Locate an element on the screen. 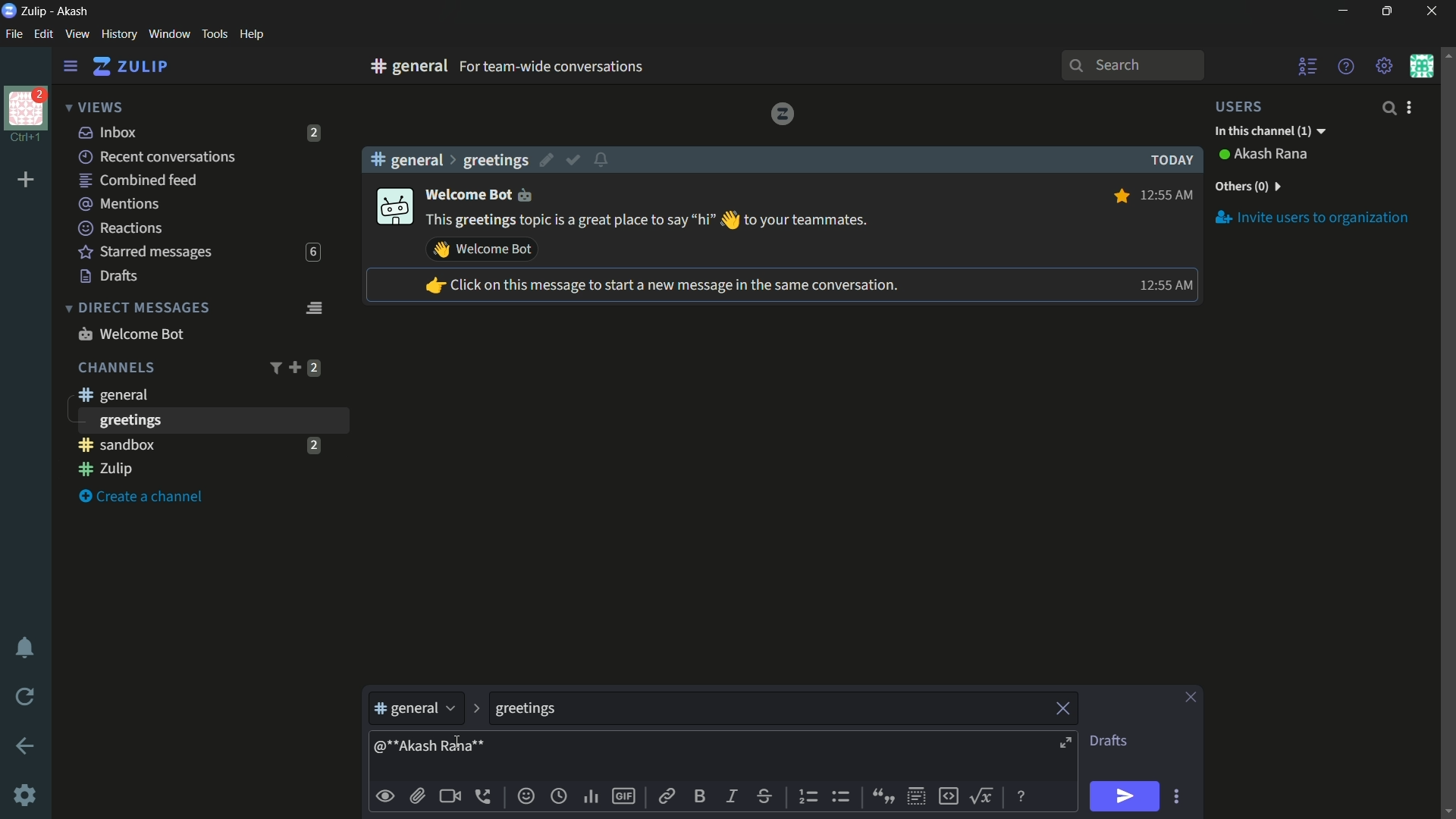 The width and height of the screenshot is (1456, 819). scroll down is located at coordinates (1447, 811).